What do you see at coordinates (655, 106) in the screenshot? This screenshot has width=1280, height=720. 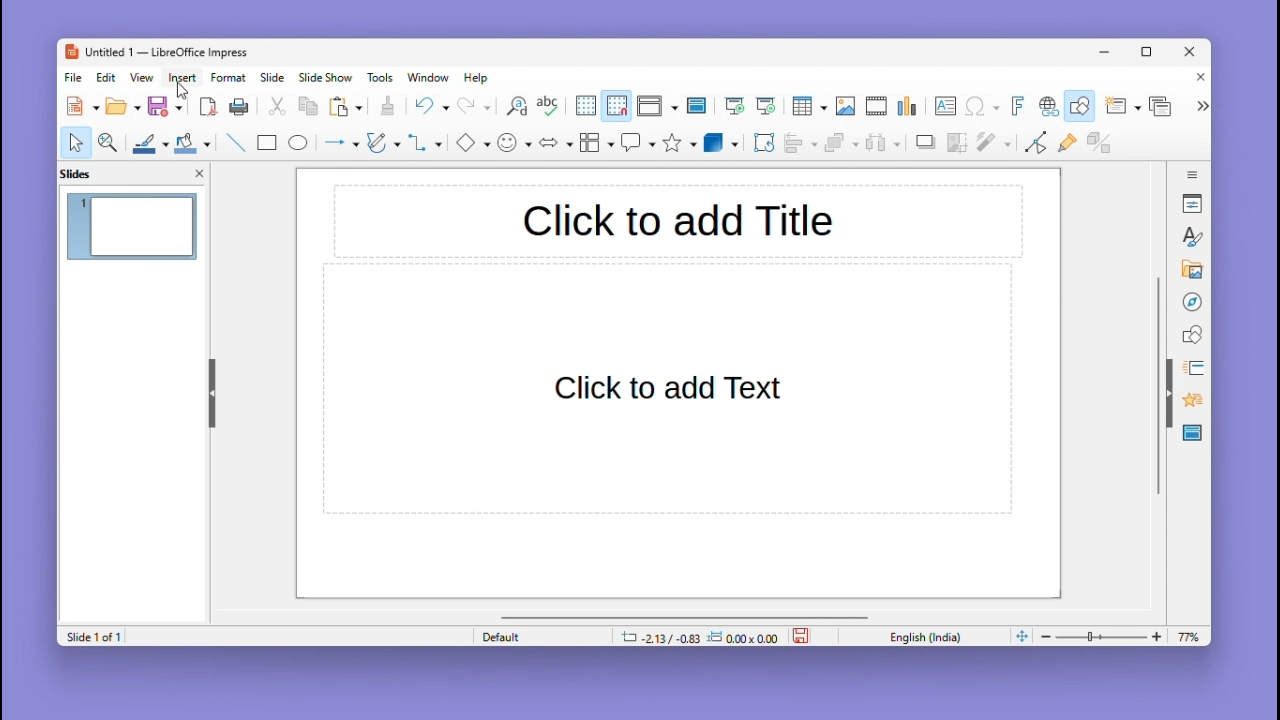 I see `Display views` at bounding box center [655, 106].